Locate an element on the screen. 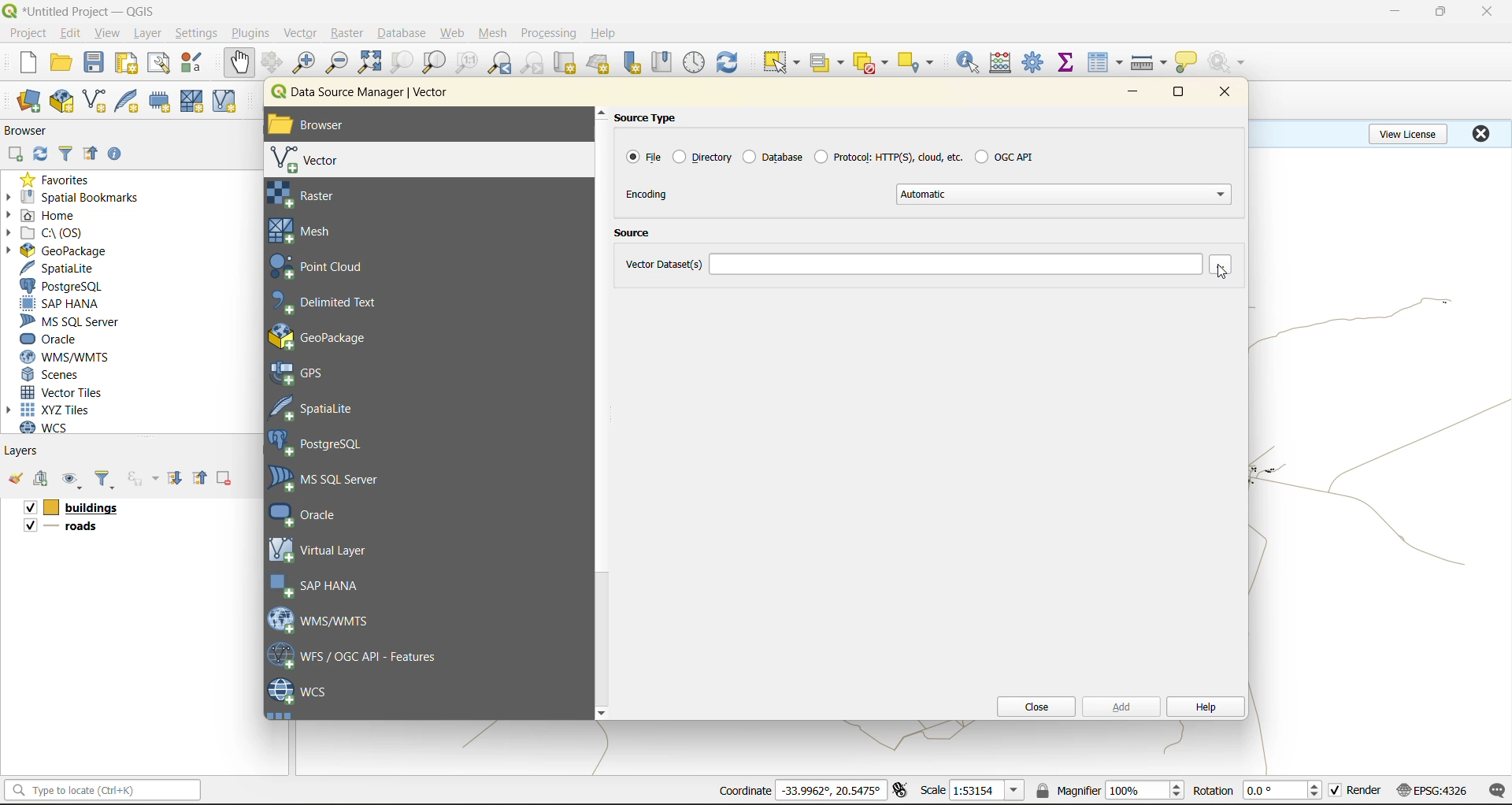  render is located at coordinates (1366, 790).